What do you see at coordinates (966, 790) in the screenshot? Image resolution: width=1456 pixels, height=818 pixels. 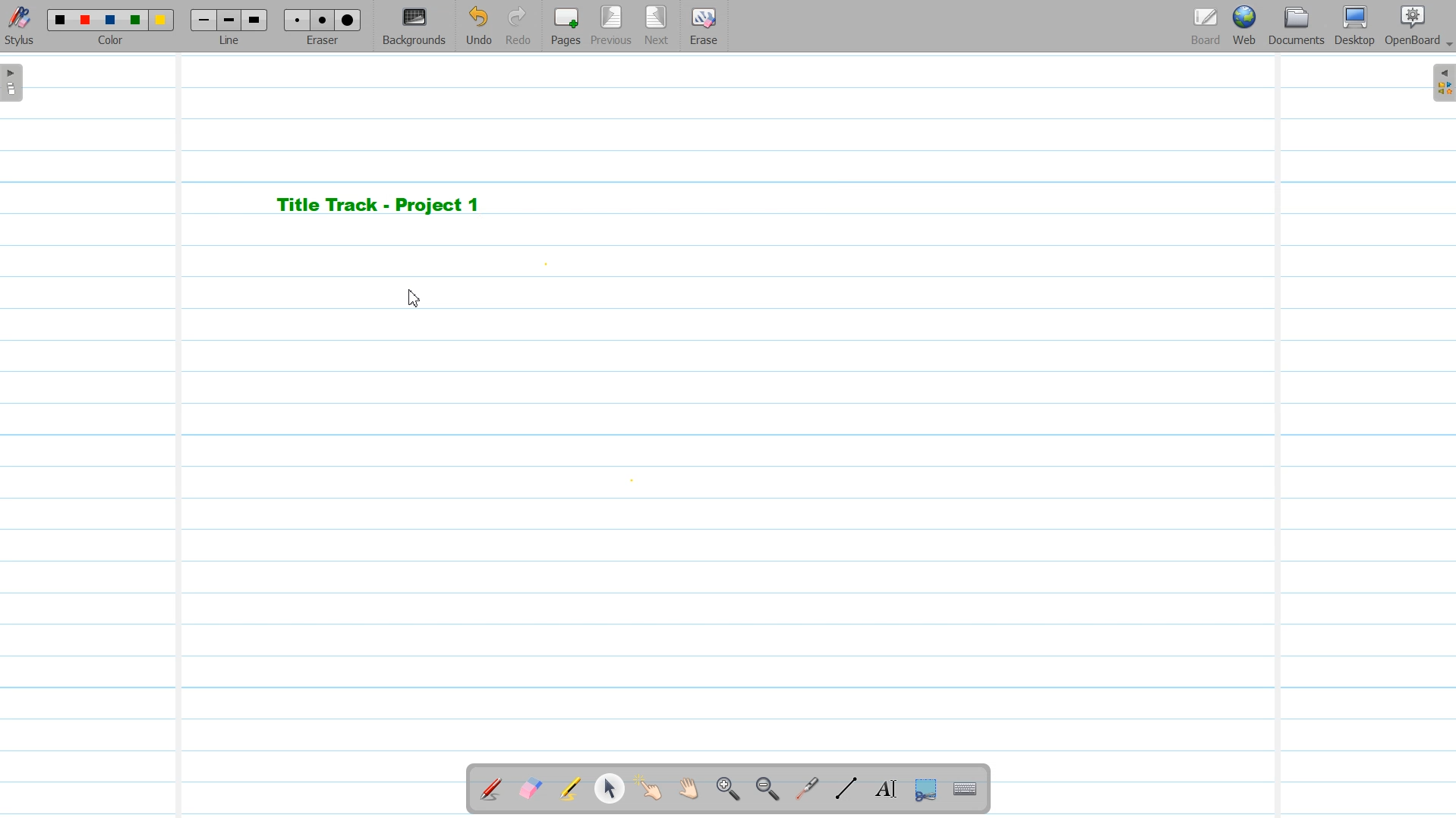 I see `Display virtual Keyboard` at bounding box center [966, 790].